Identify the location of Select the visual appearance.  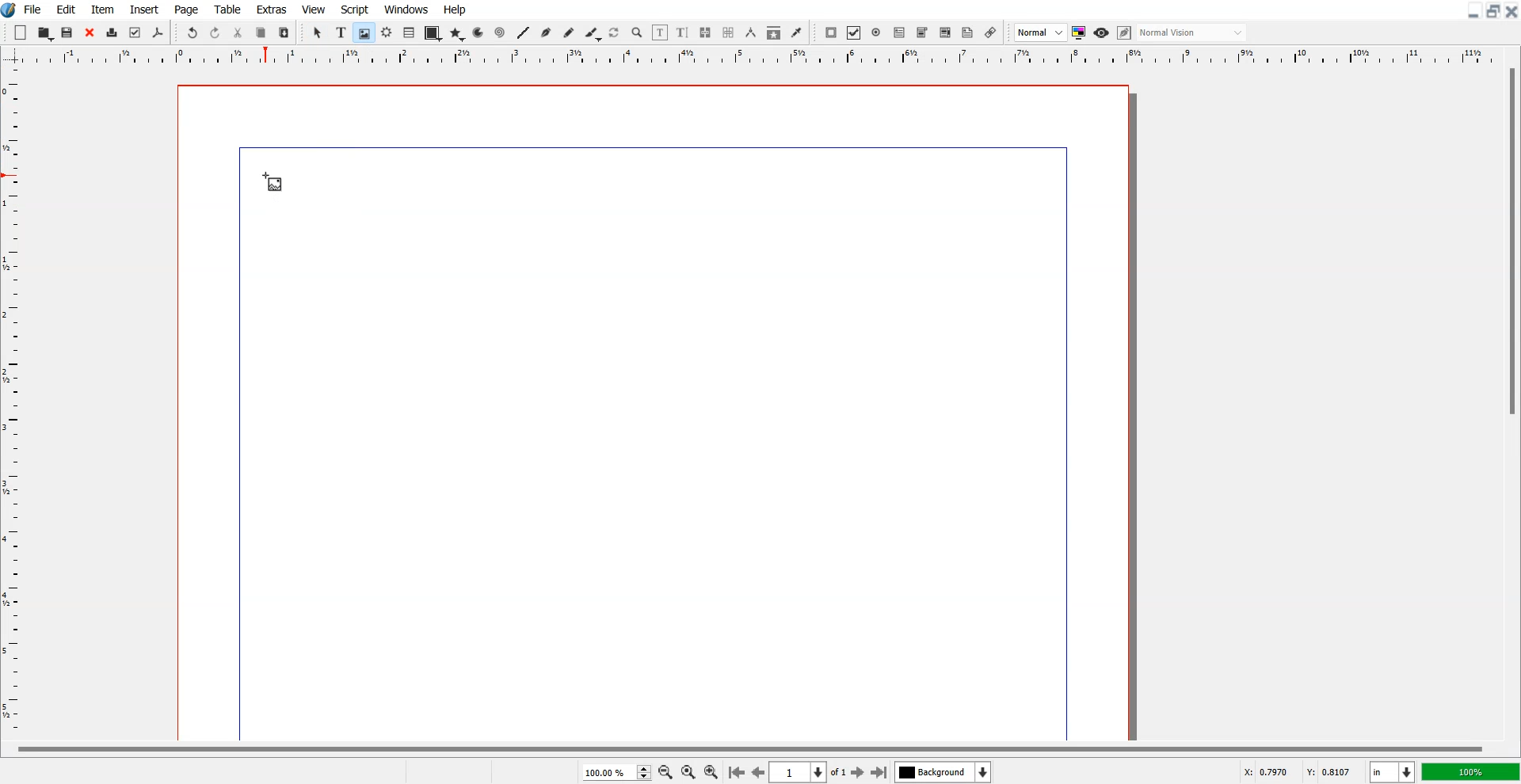
(1193, 33).